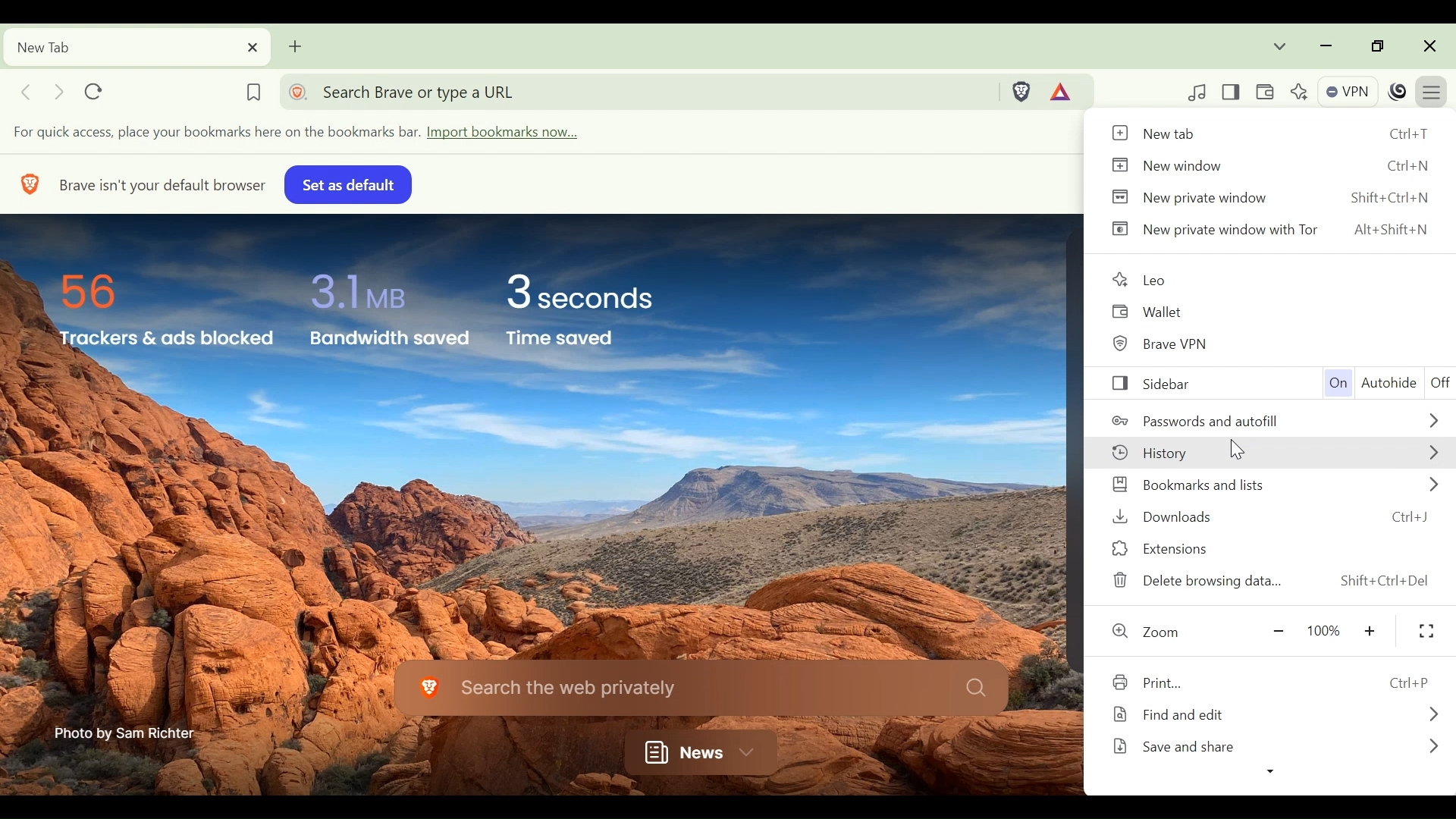 Image resolution: width=1456 pixels, height=819 pixels. I want to click on New private window with Tor Alt+Shift+N, so click(1272, 232).